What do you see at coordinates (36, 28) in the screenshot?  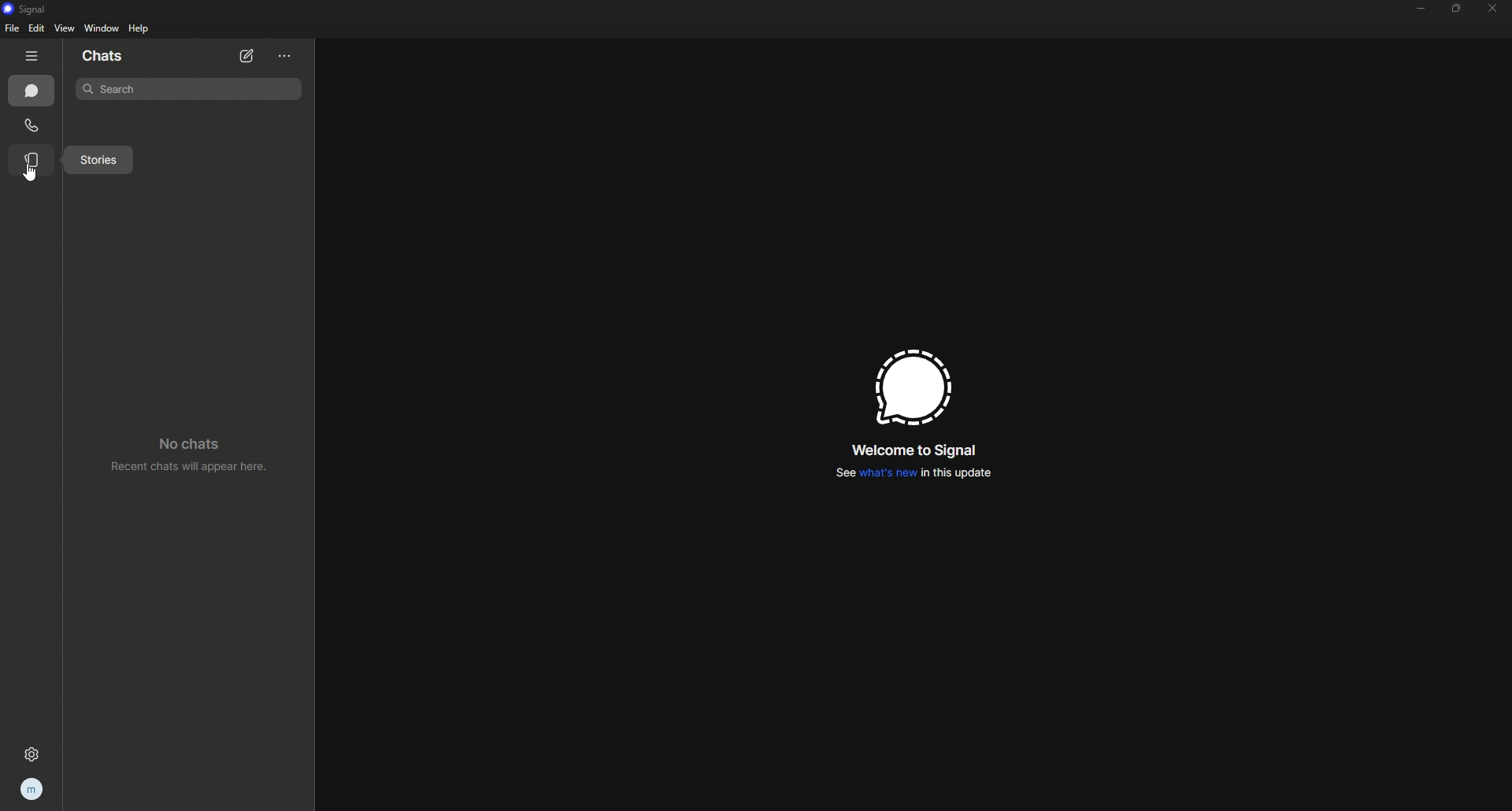 I see `edit` at bounding box center [36, 28].